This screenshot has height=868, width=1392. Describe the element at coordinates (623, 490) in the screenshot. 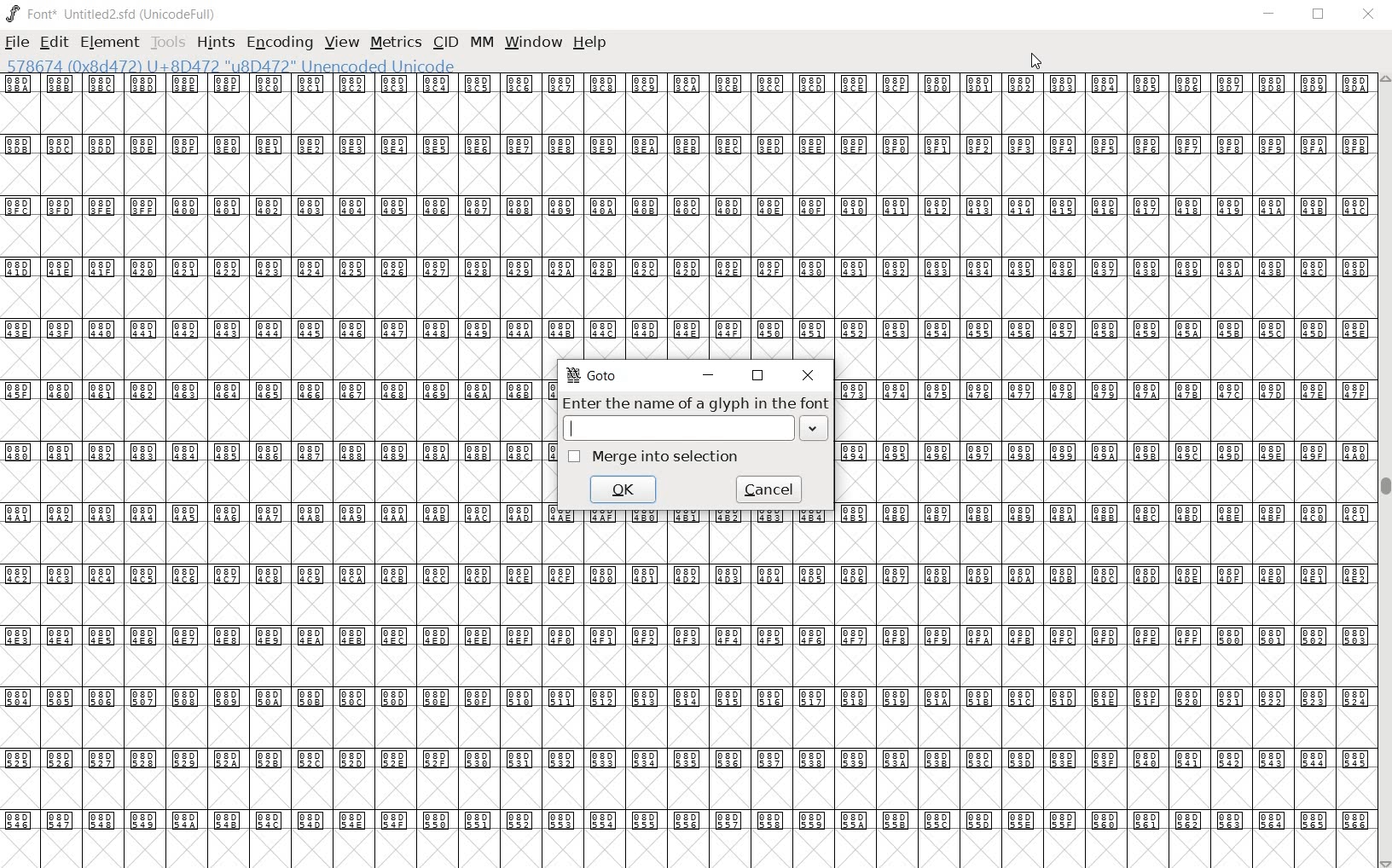

I see `ok` at that location.